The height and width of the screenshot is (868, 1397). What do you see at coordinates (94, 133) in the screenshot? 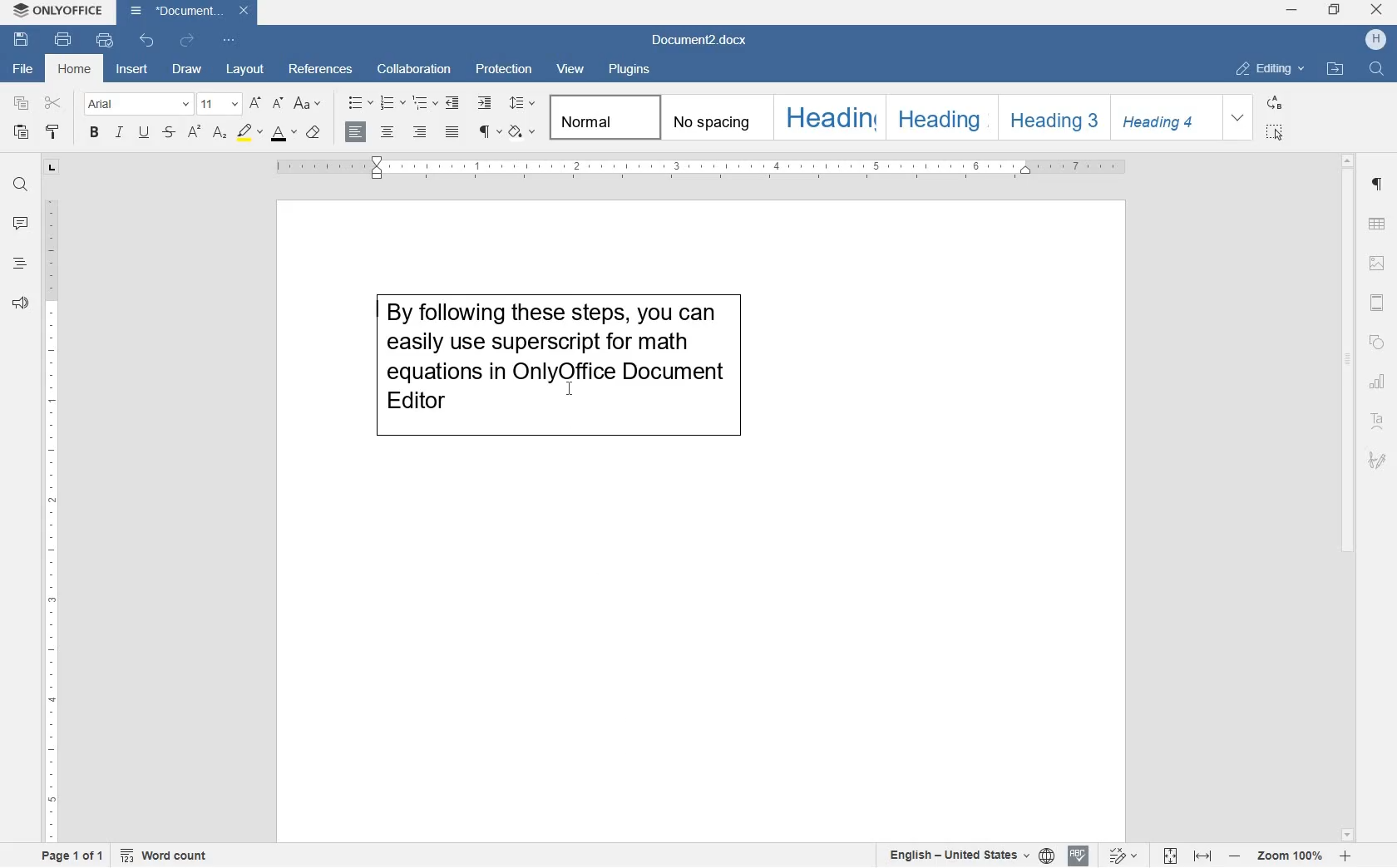
I see `bold` at bounding box center [94, 133].